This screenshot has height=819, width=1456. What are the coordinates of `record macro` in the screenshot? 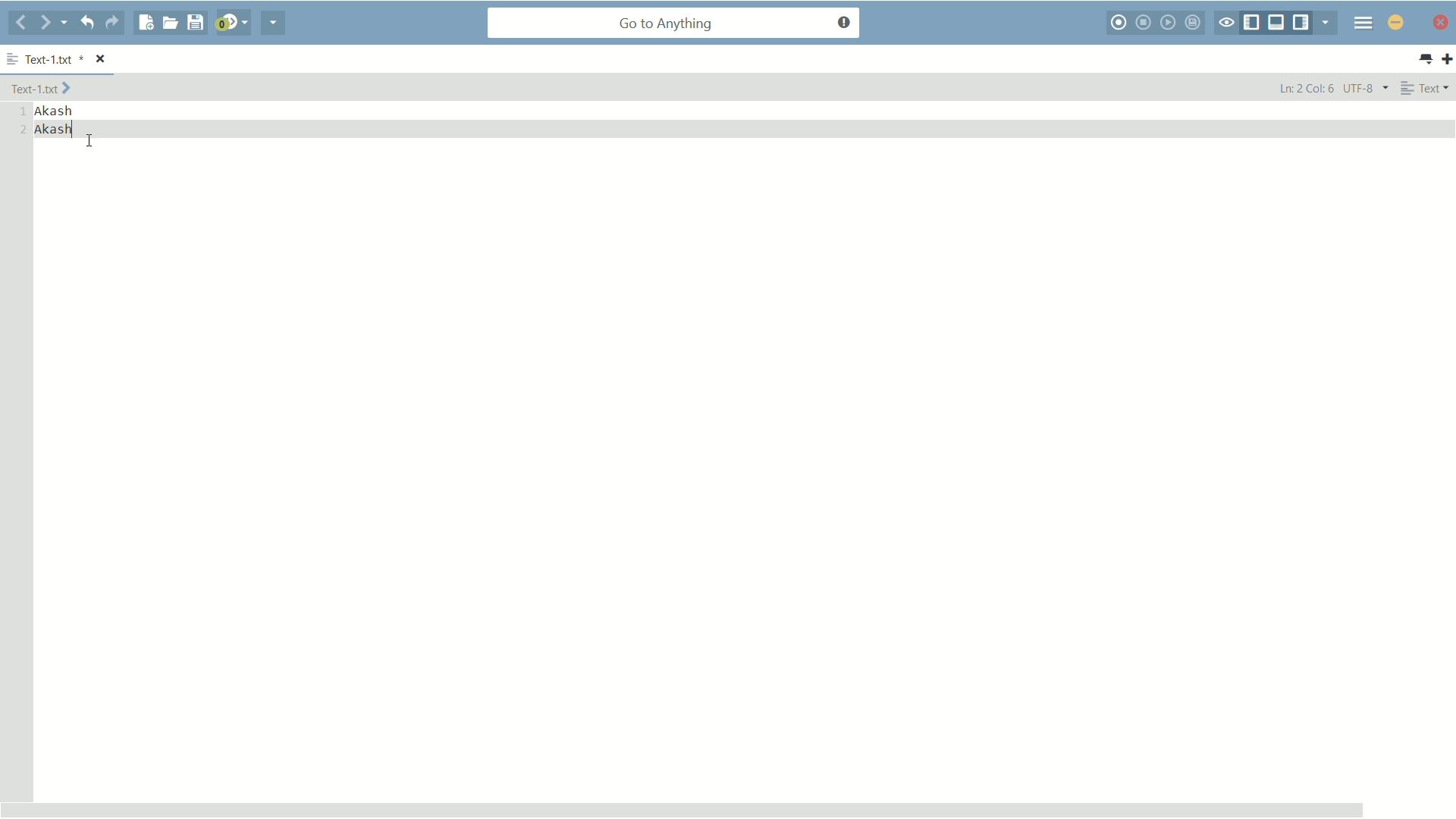 It's located at (1118, 23).